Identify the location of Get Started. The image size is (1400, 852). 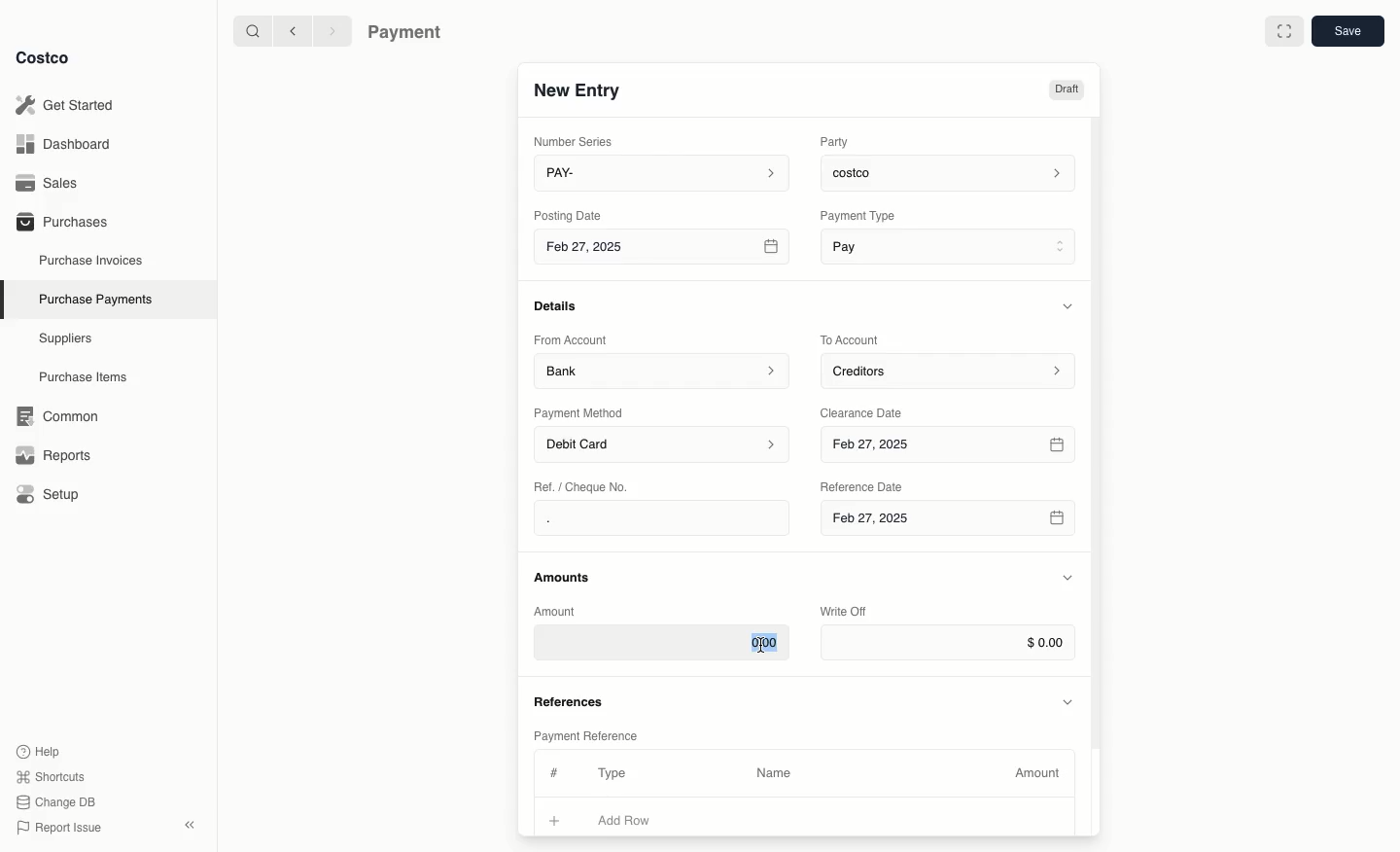
(69, 105).